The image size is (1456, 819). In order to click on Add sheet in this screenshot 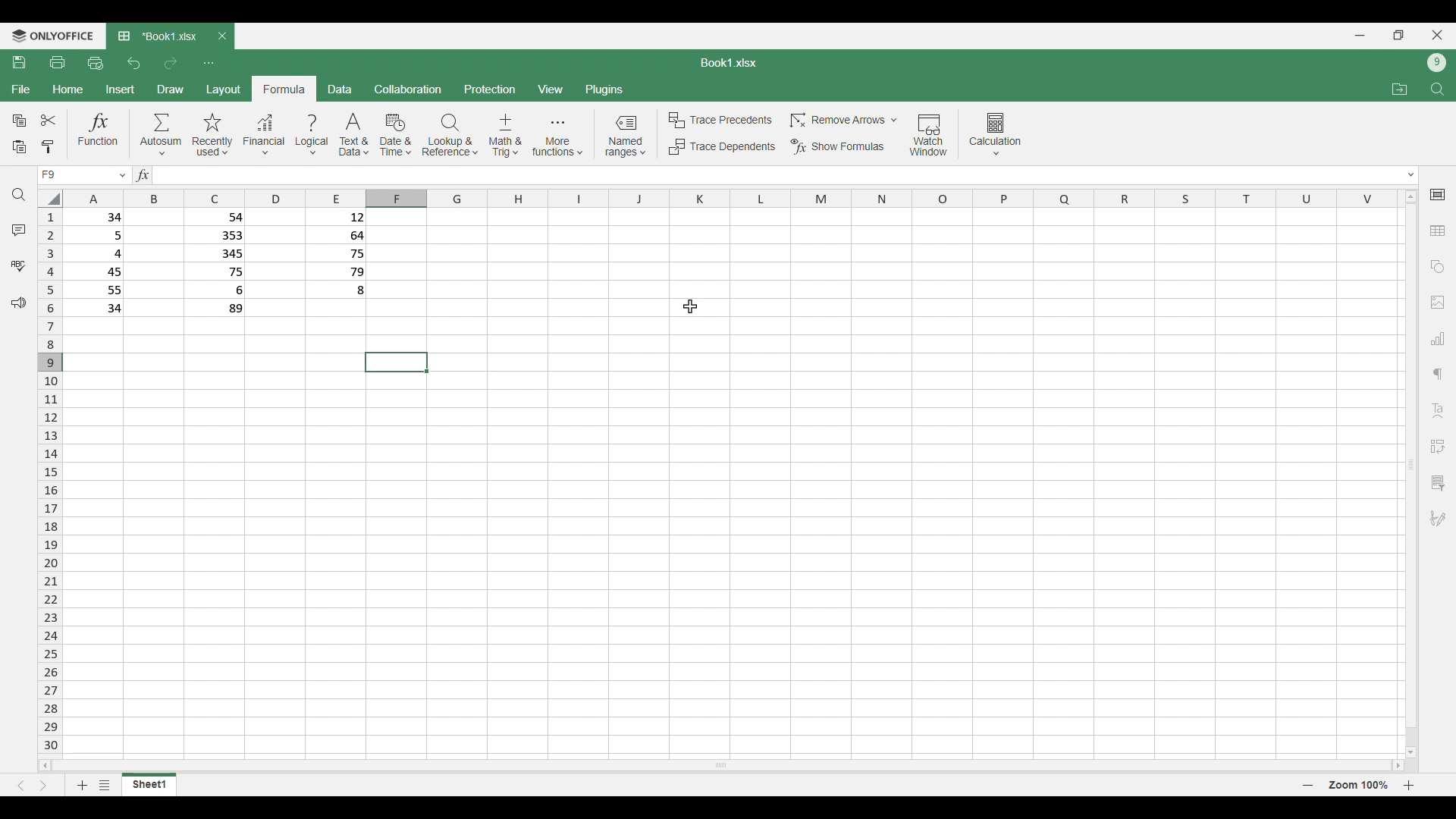, I will do `click(83, 785)`.